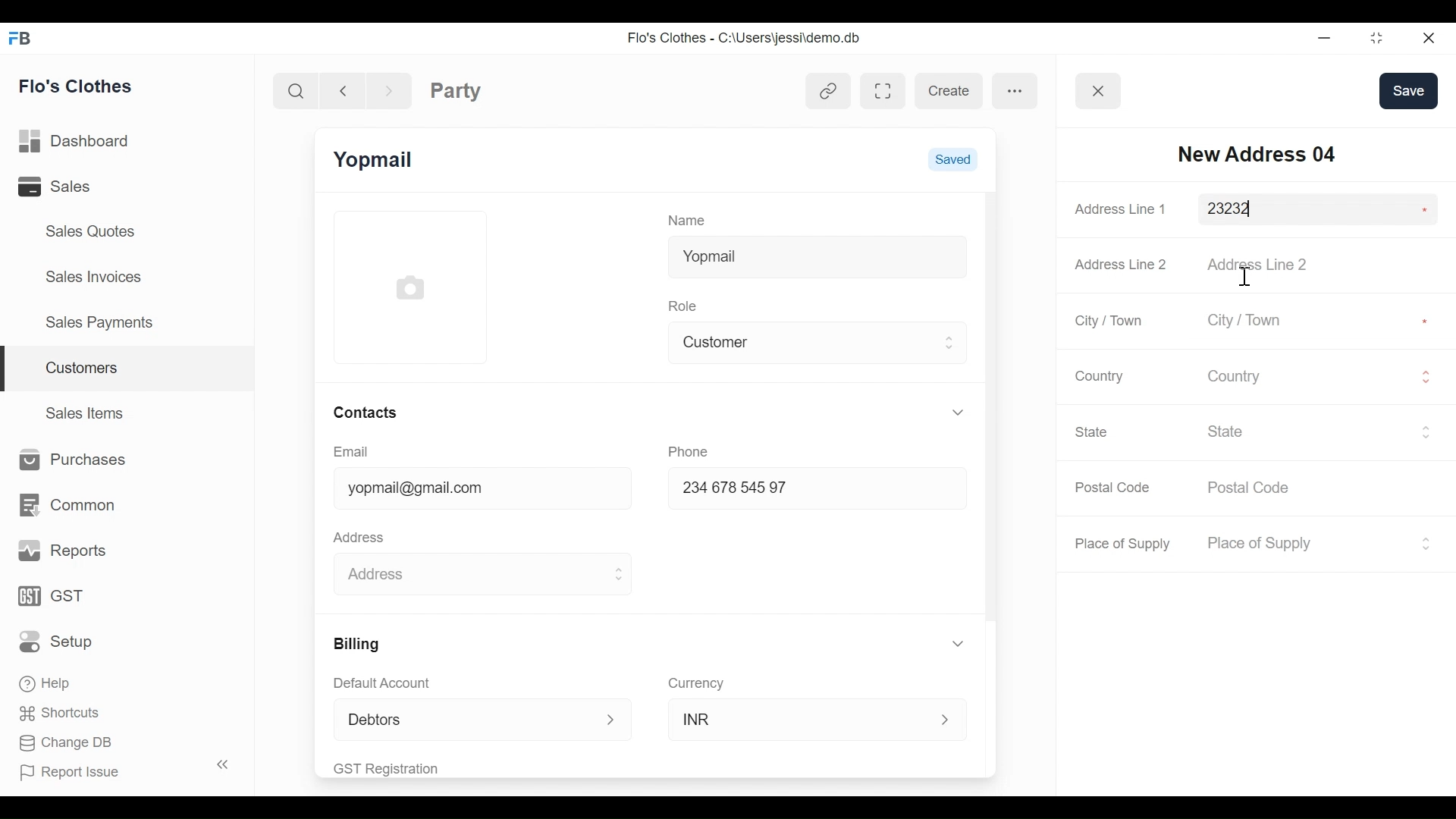  I want to click on Address, so click(362, 535).